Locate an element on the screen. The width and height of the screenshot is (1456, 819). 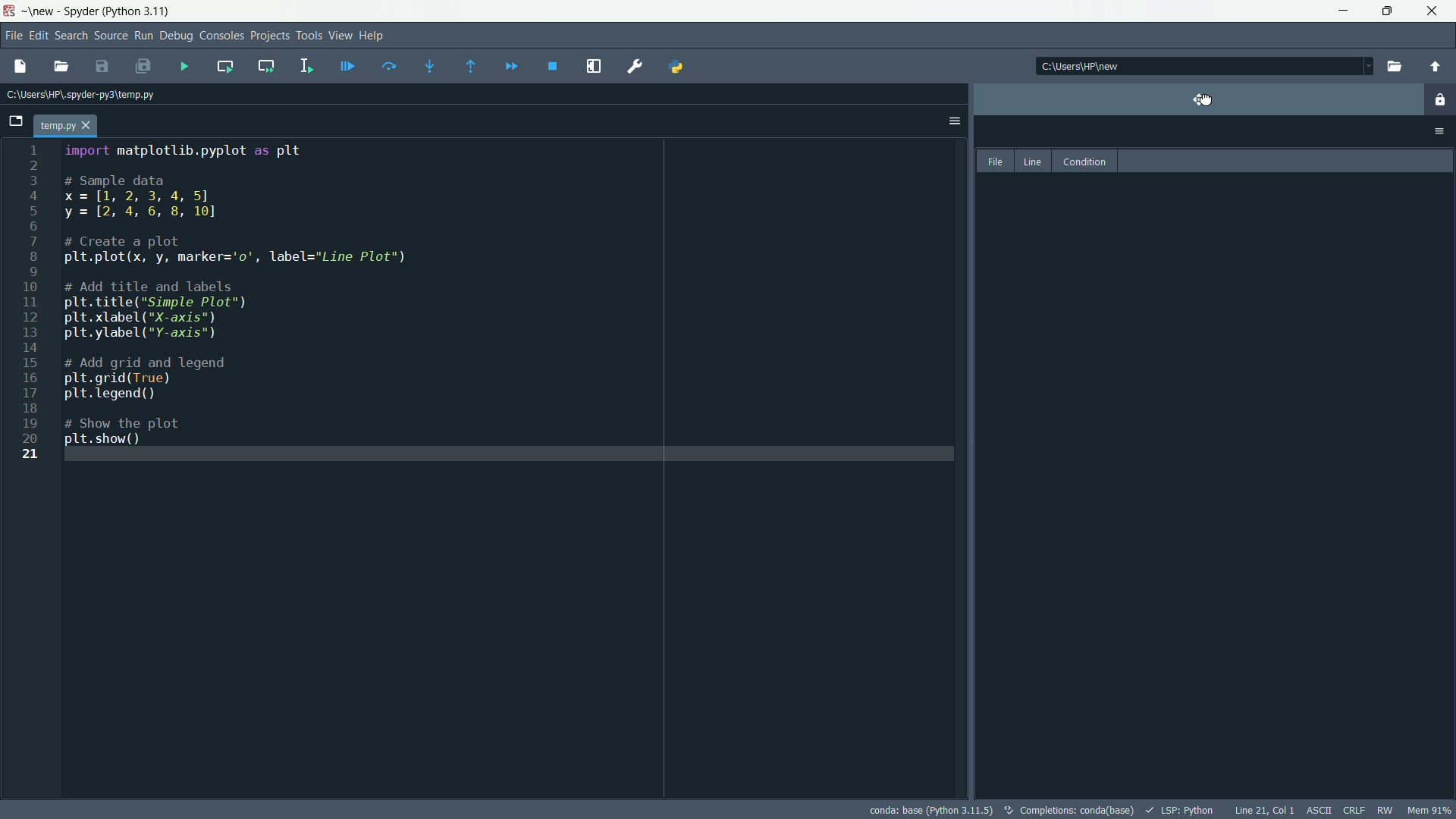
preferences is located at coordinates (635, 65).